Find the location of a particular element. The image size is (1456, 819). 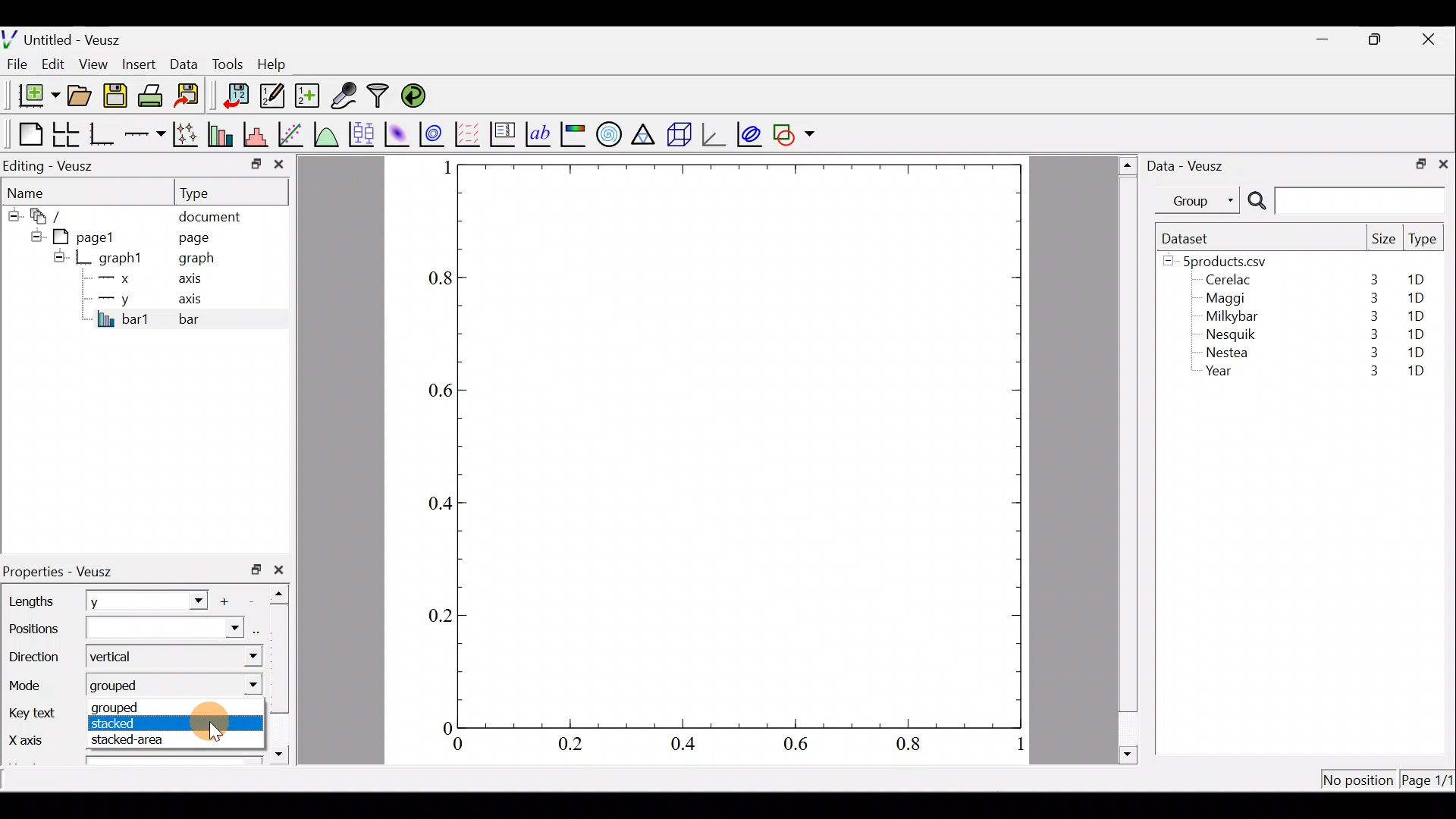

graph plot area is located at coordinates (741, 444).